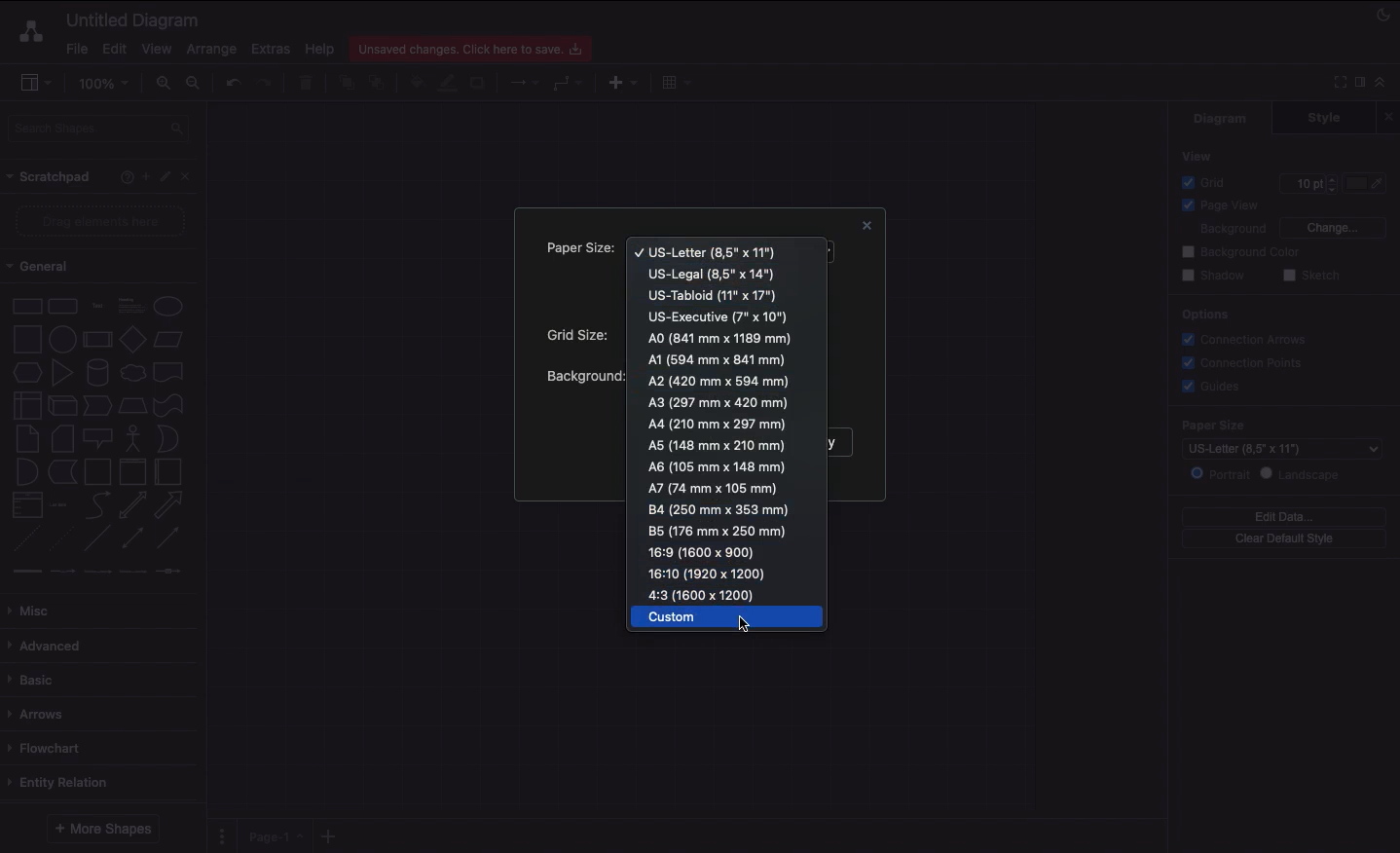  What do you see at coordinates (1307, 181) in the screenshot?
I see `10 pt` at bounding box center [1307, 181].